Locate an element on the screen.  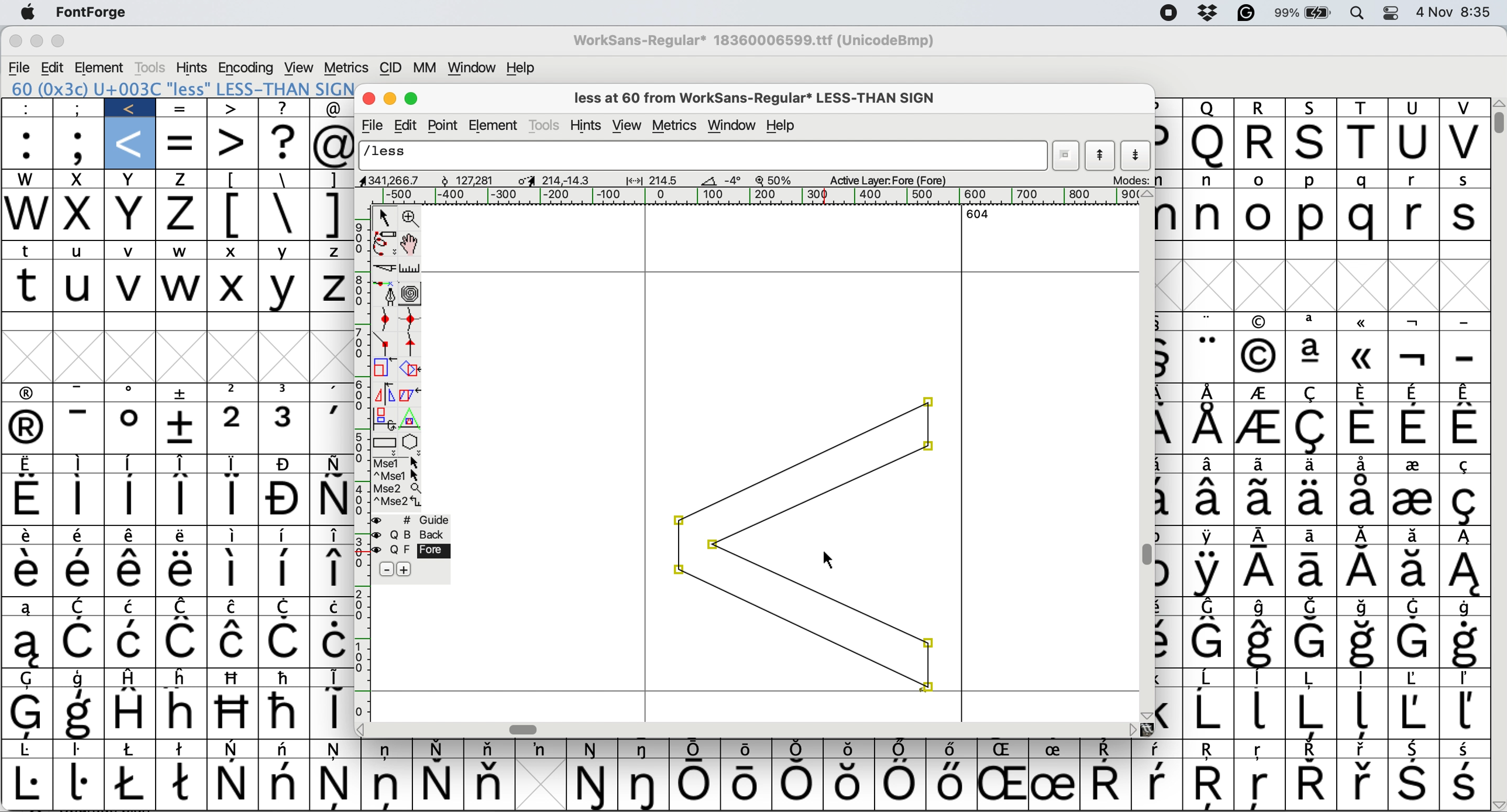
w is located at coordinates (181, 287).